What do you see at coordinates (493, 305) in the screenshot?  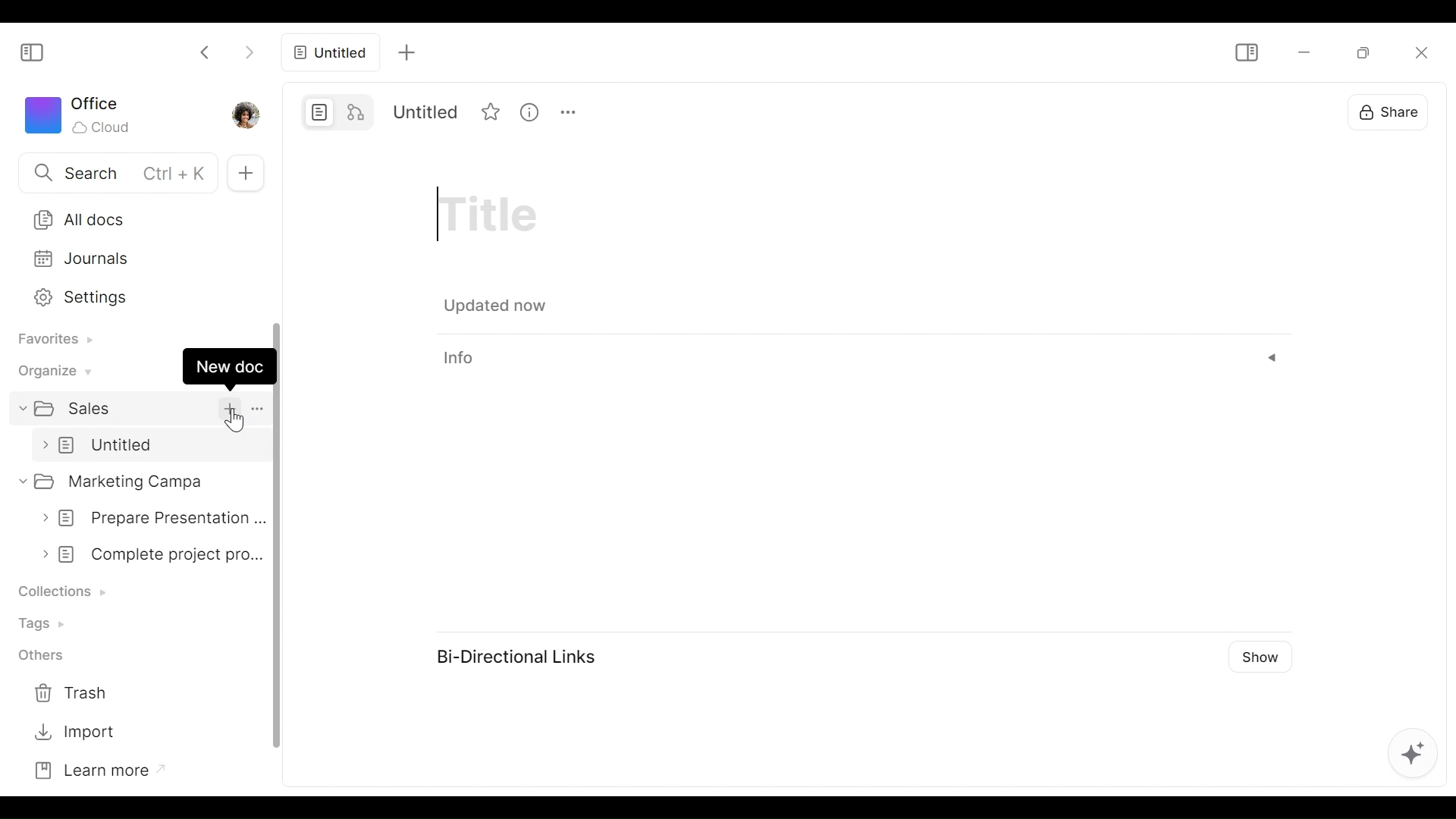 I see `updated now` at bounding box center [493, 305].